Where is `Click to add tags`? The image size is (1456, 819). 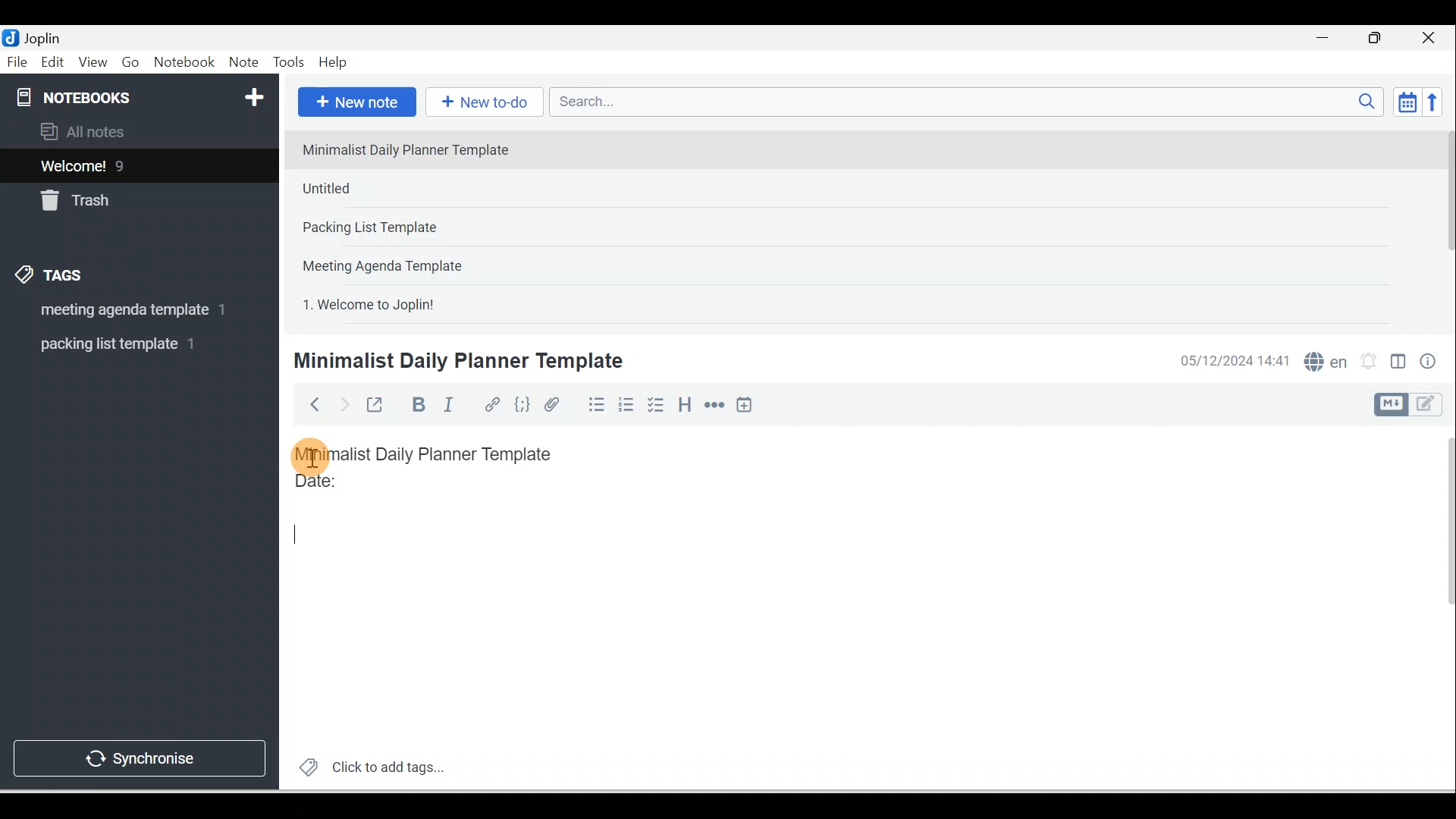
Click to add tags is located at coordinates (366, 765).